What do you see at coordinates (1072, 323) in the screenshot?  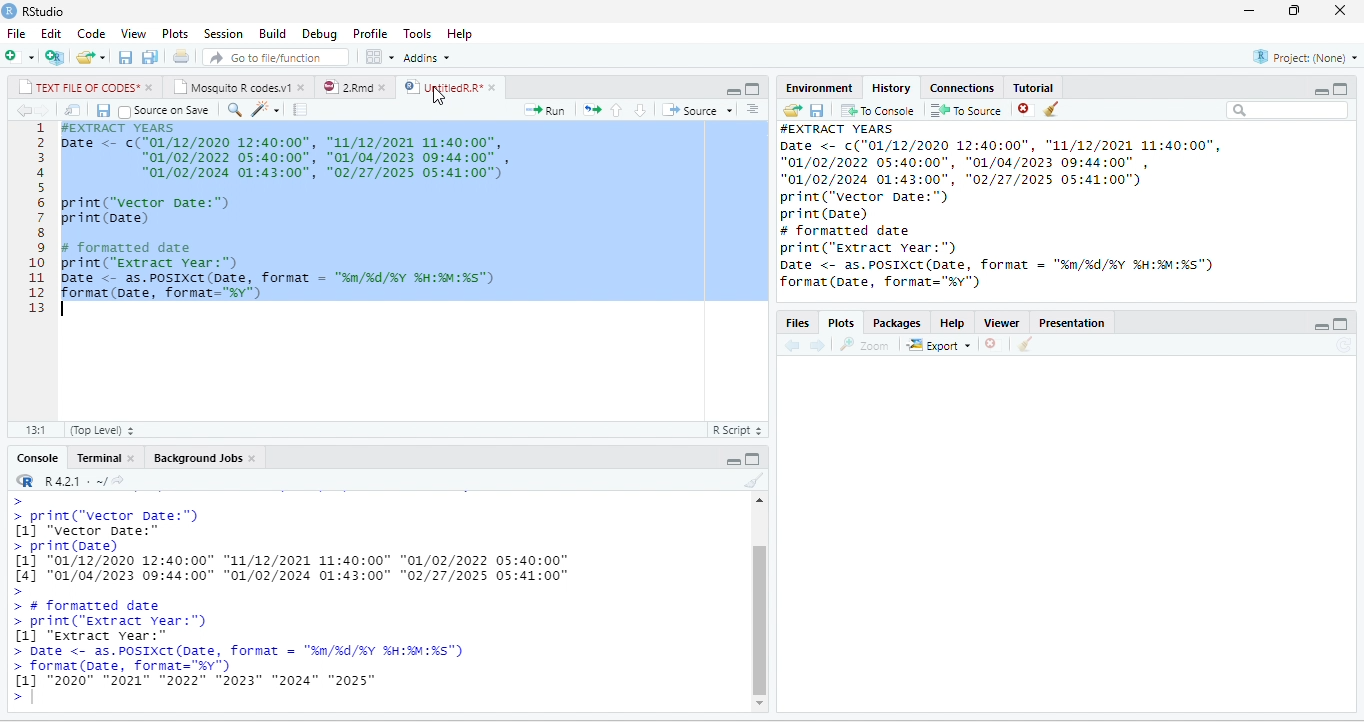 I see `Presentation` at bounding box center [1072, 323].